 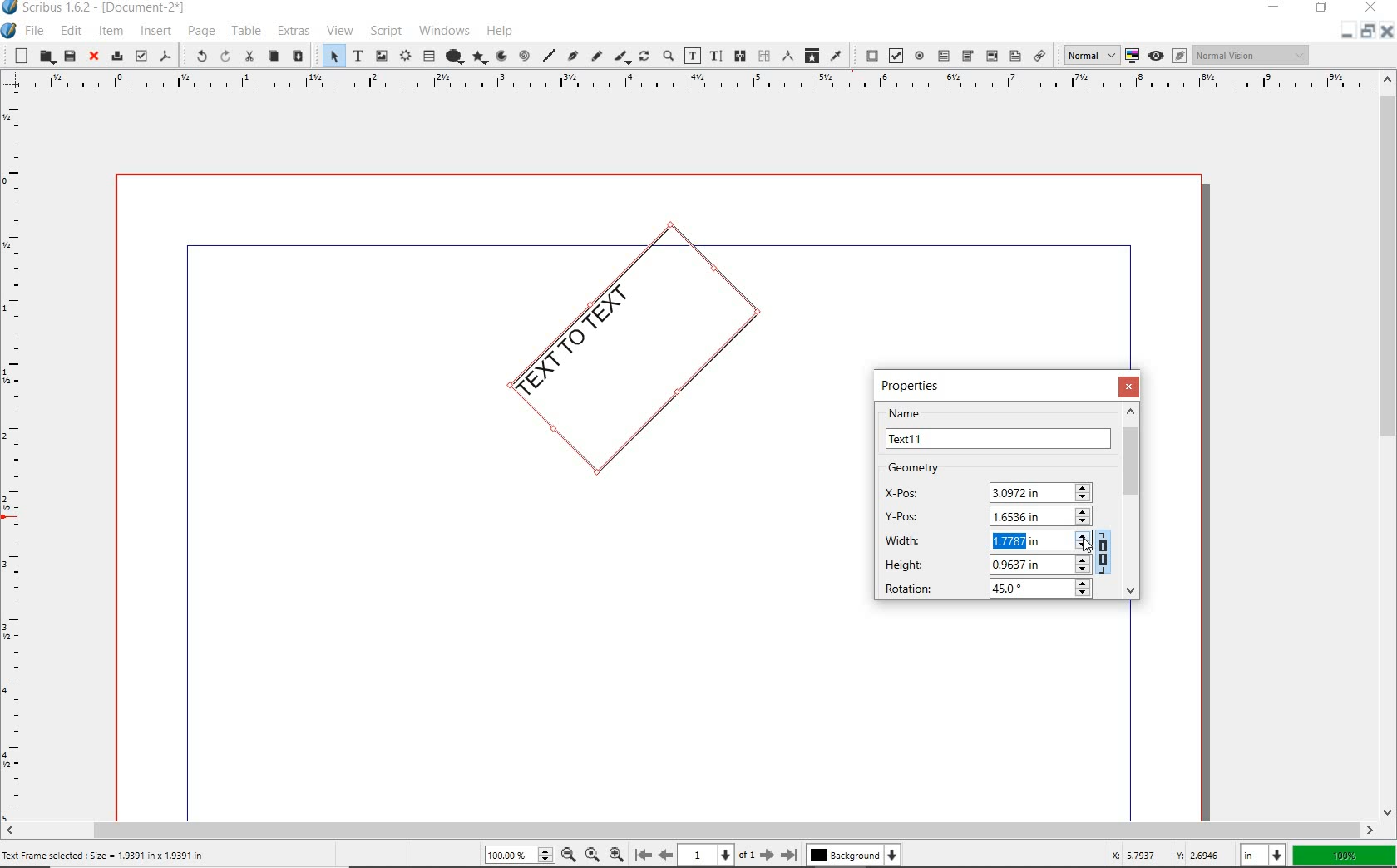 I want to click on calligraphic line, so click(x=623, y=56).